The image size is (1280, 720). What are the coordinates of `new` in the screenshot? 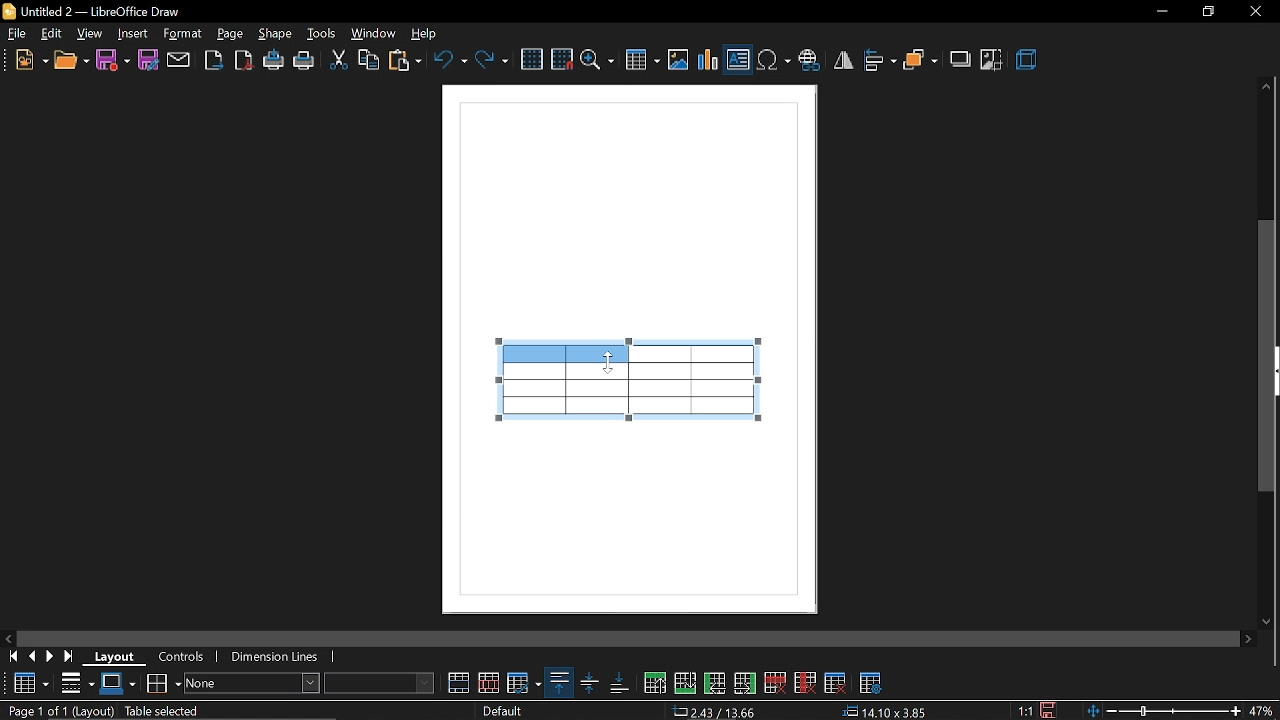 It's located at (25, 59).